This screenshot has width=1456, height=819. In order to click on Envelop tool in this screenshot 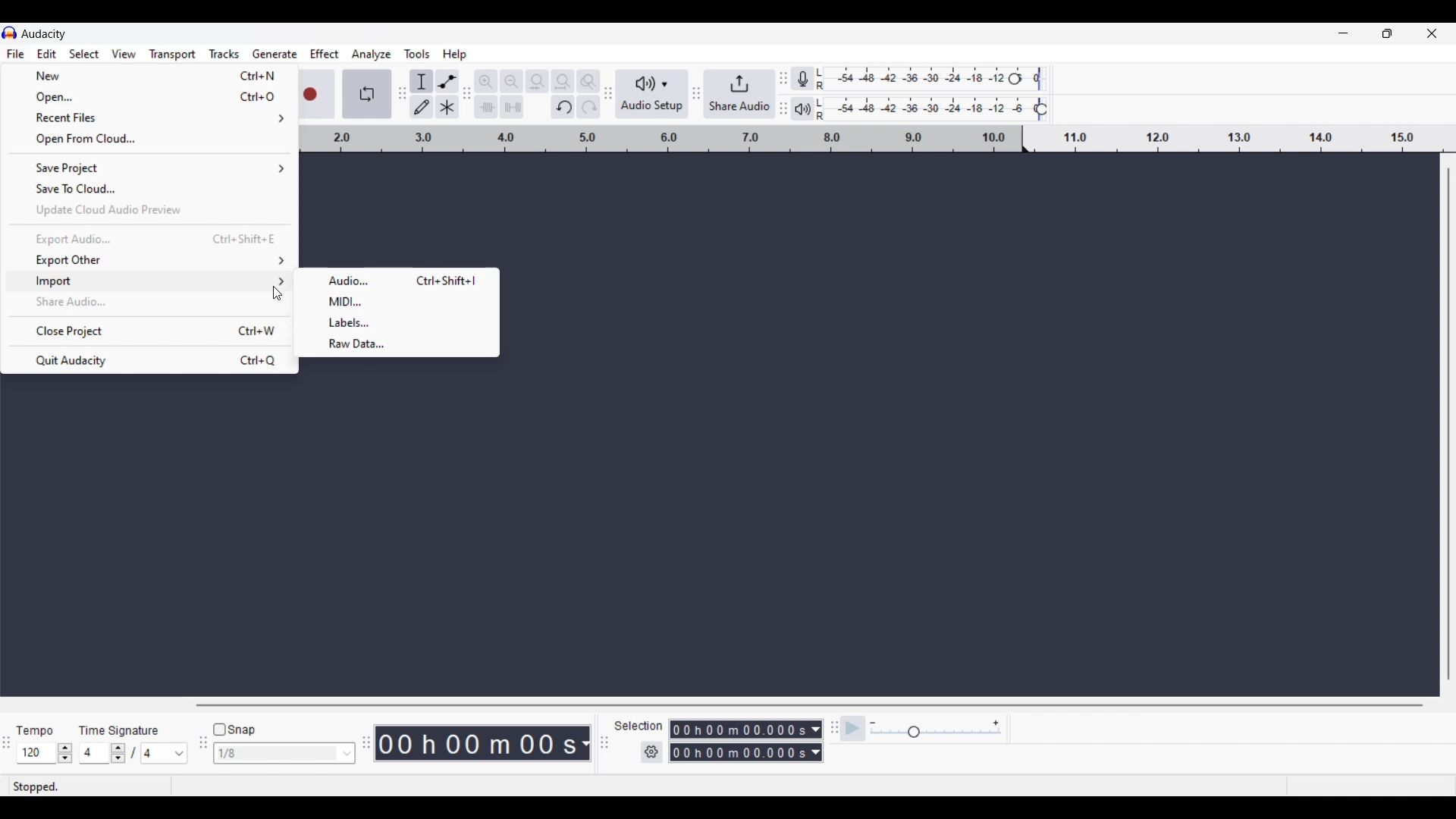, I will do `click(447, 81)`.